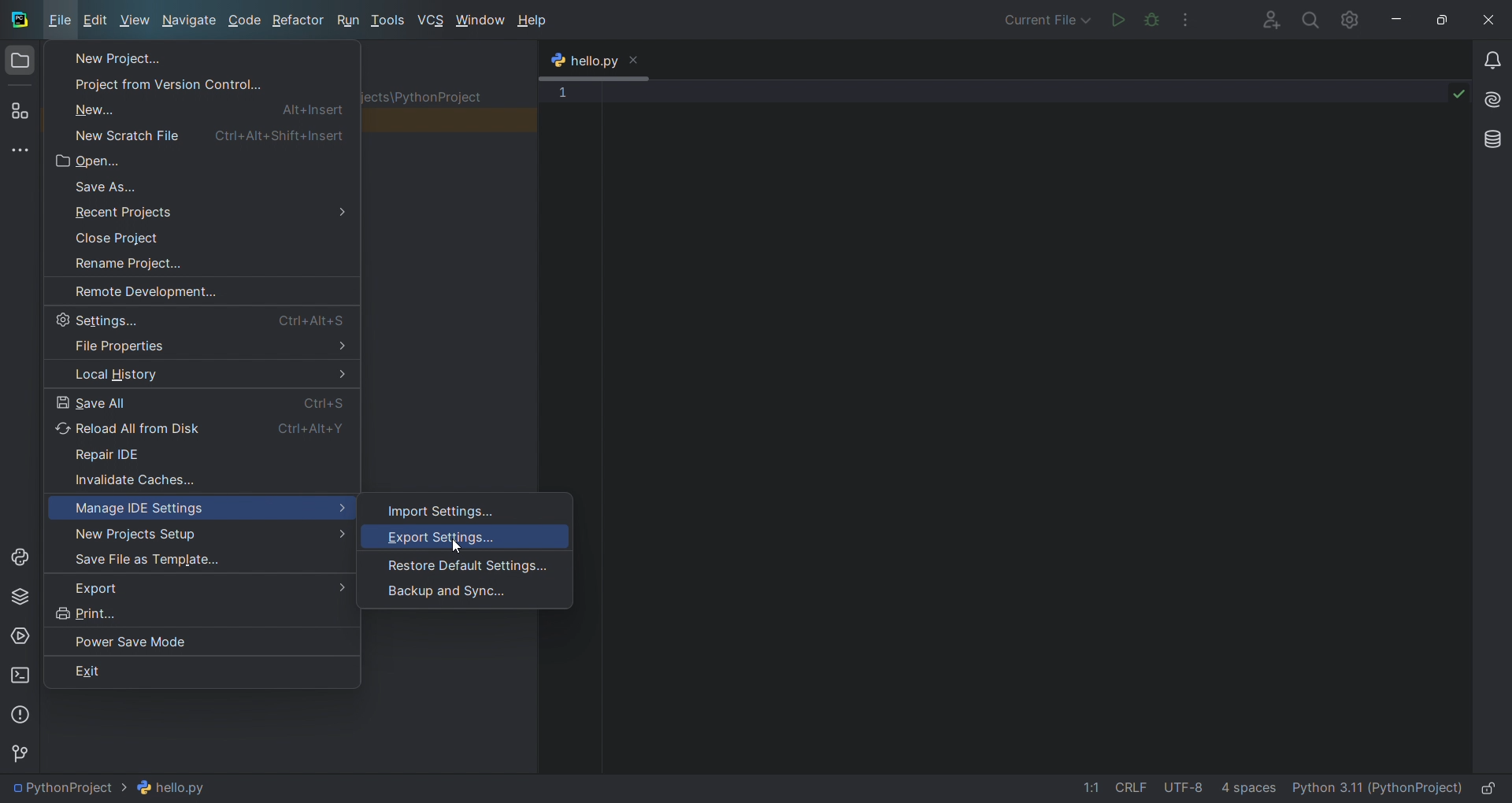 This screenshot has width=1512, height=803. I want to click on Navigate, so click(190, 20).